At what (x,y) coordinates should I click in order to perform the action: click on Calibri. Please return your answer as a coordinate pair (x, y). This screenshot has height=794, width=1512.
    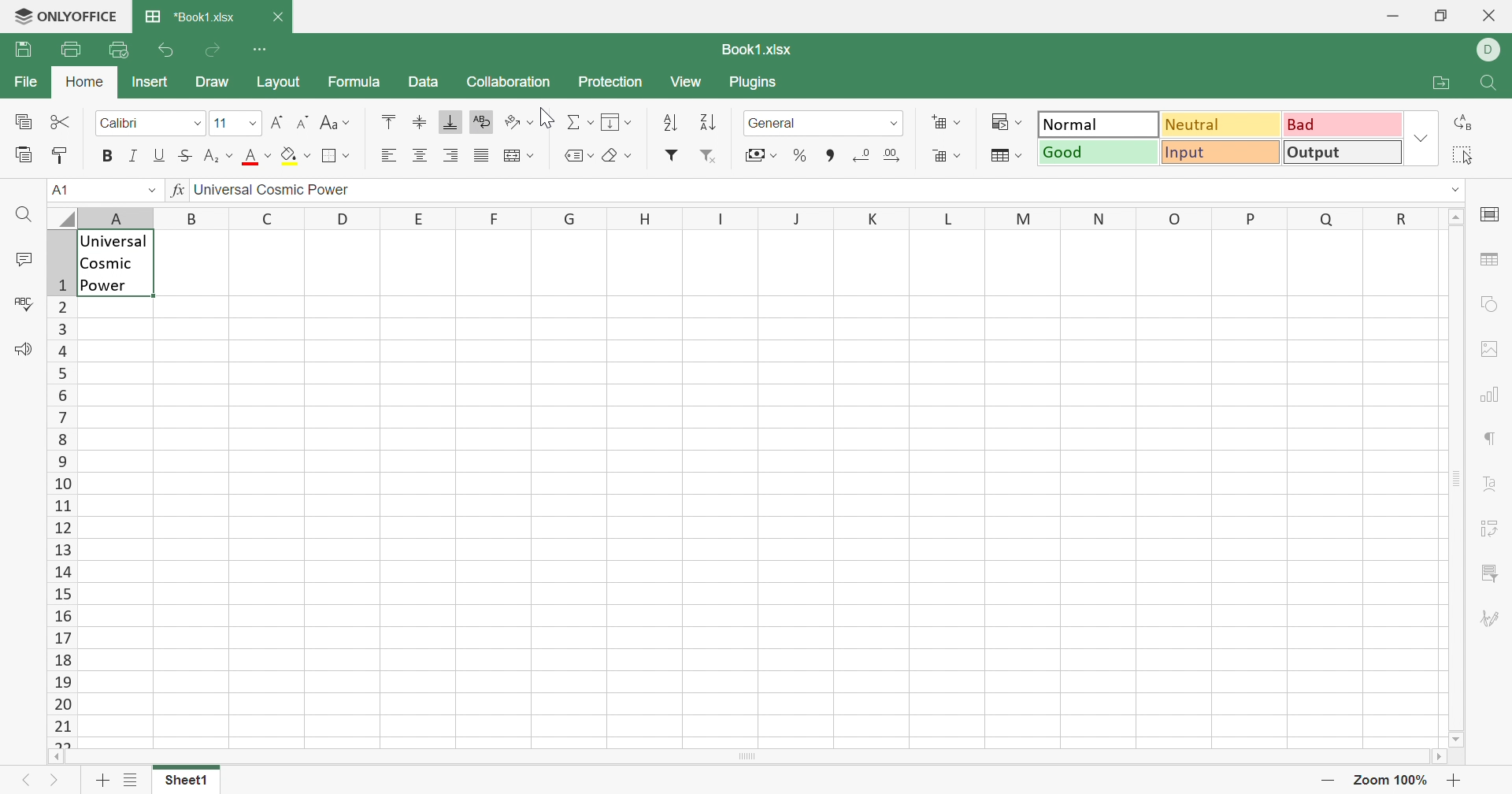
    Looking at the image, I should click on (124, 126).